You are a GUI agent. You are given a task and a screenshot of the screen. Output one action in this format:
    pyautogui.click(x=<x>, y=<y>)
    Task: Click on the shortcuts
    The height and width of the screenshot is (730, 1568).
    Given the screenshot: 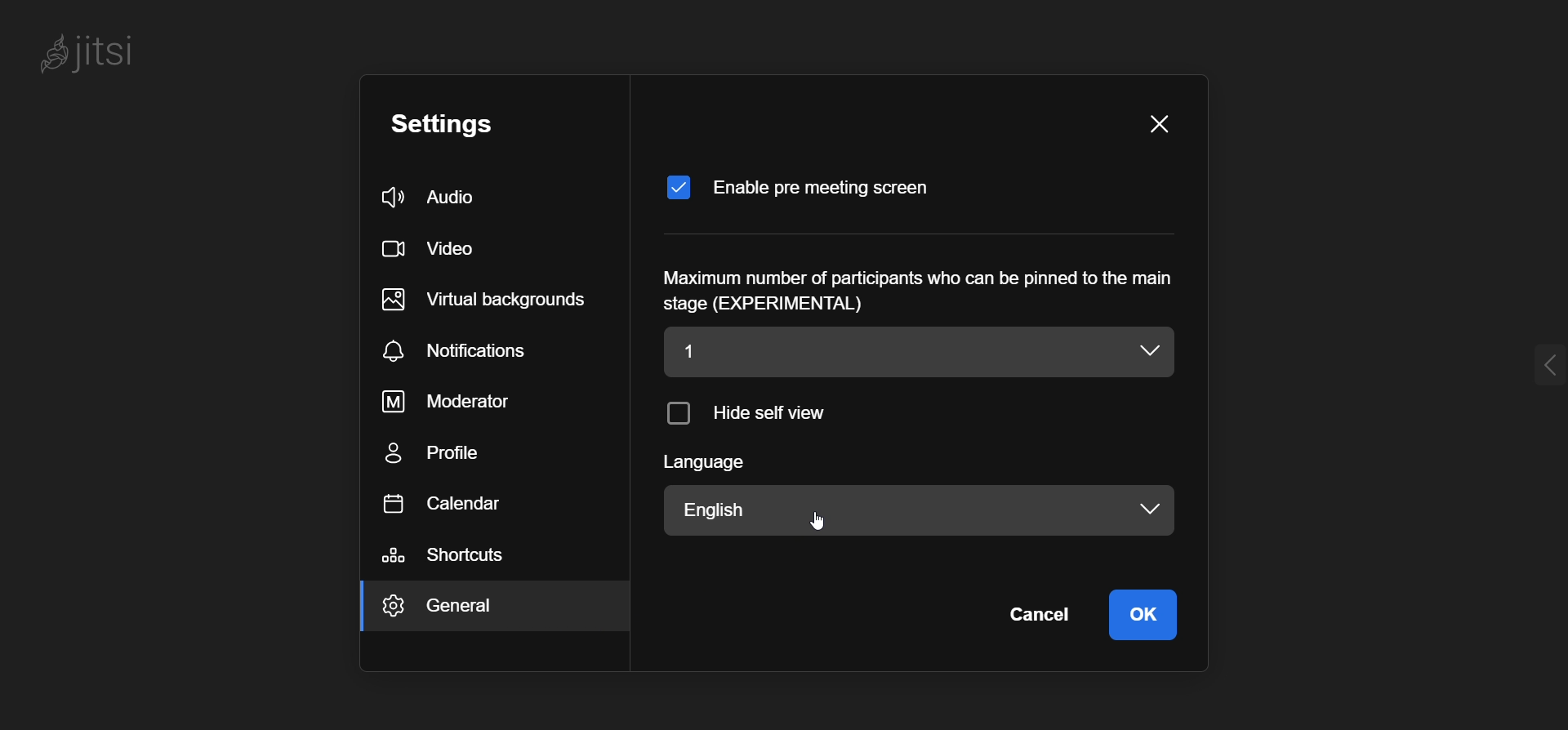 What is the action you would take?
    pyautogui.click(x=453, y=556)
    